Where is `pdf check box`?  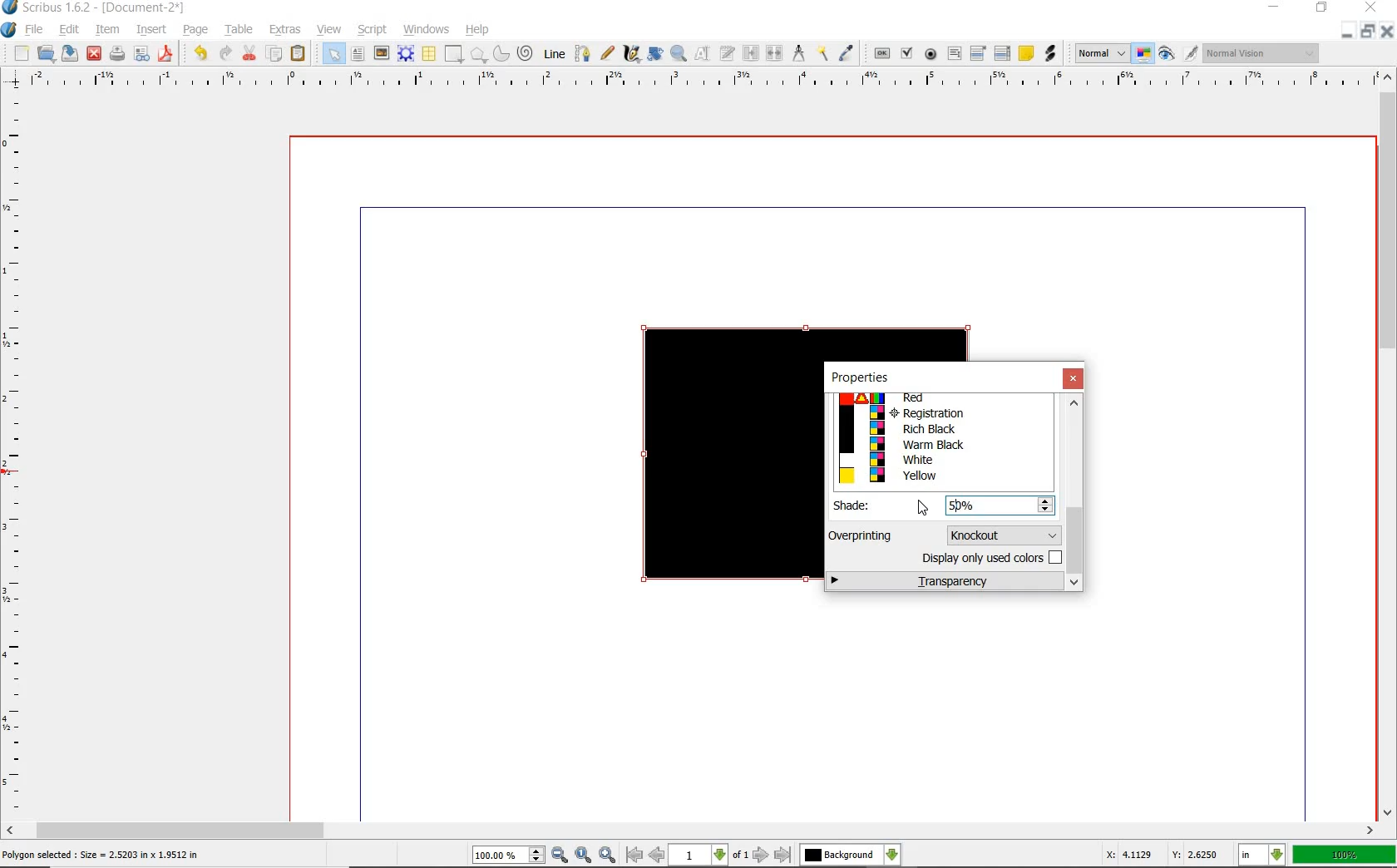 pdf check box is located at coordinates (906, 54).